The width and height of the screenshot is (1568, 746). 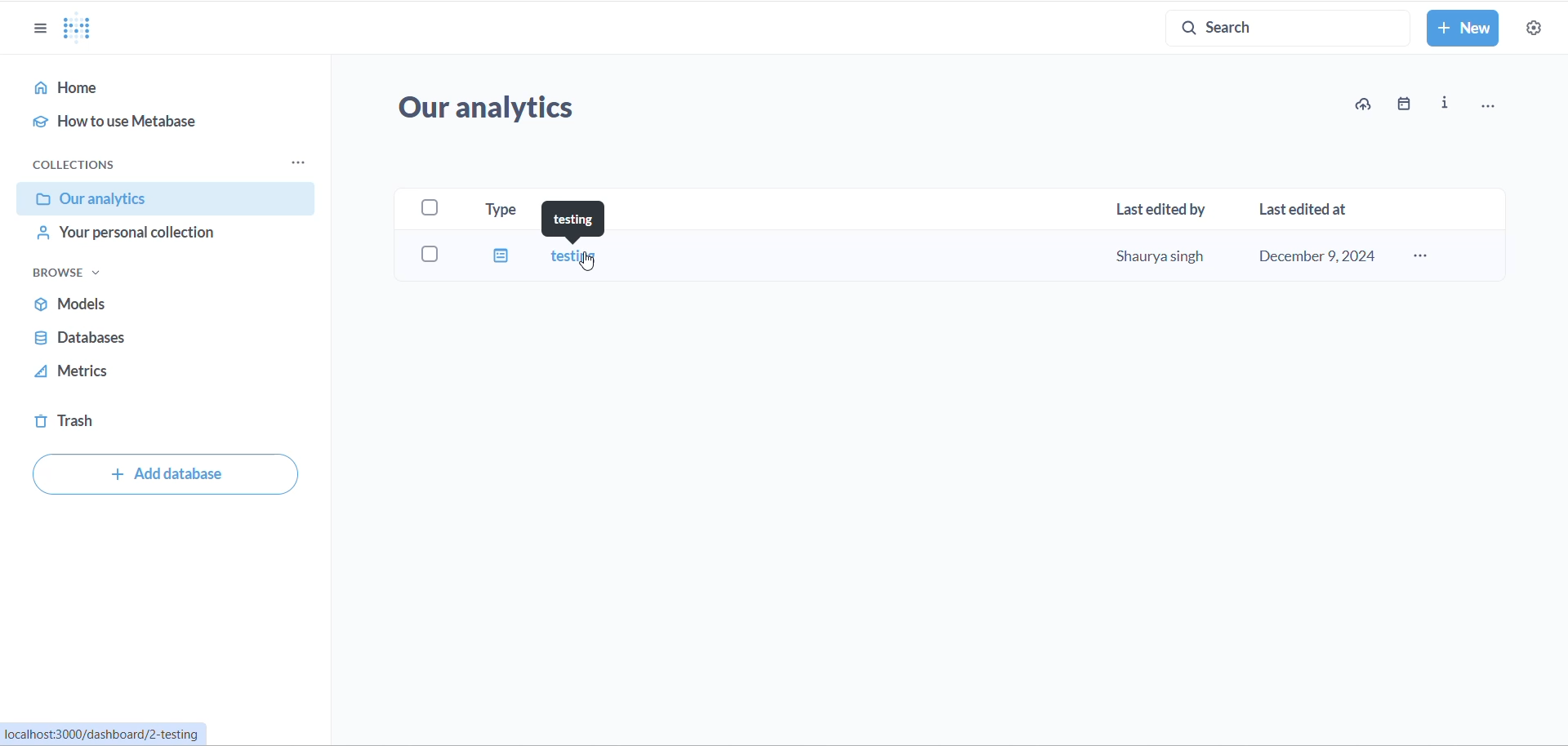 I want to click on last edited at, so click(x=1305, y=208).